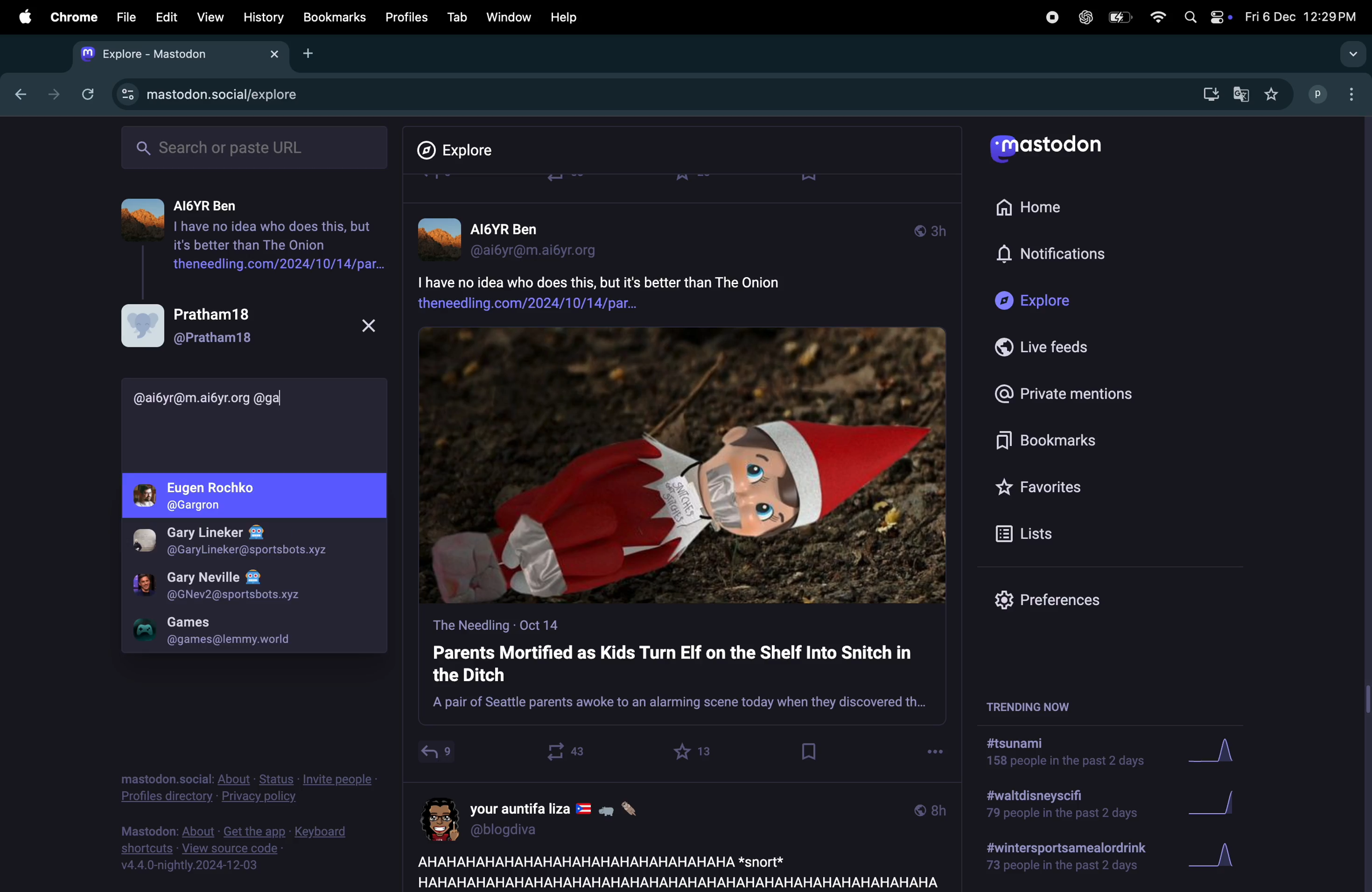  I want to click on record, so click(1051, 16).